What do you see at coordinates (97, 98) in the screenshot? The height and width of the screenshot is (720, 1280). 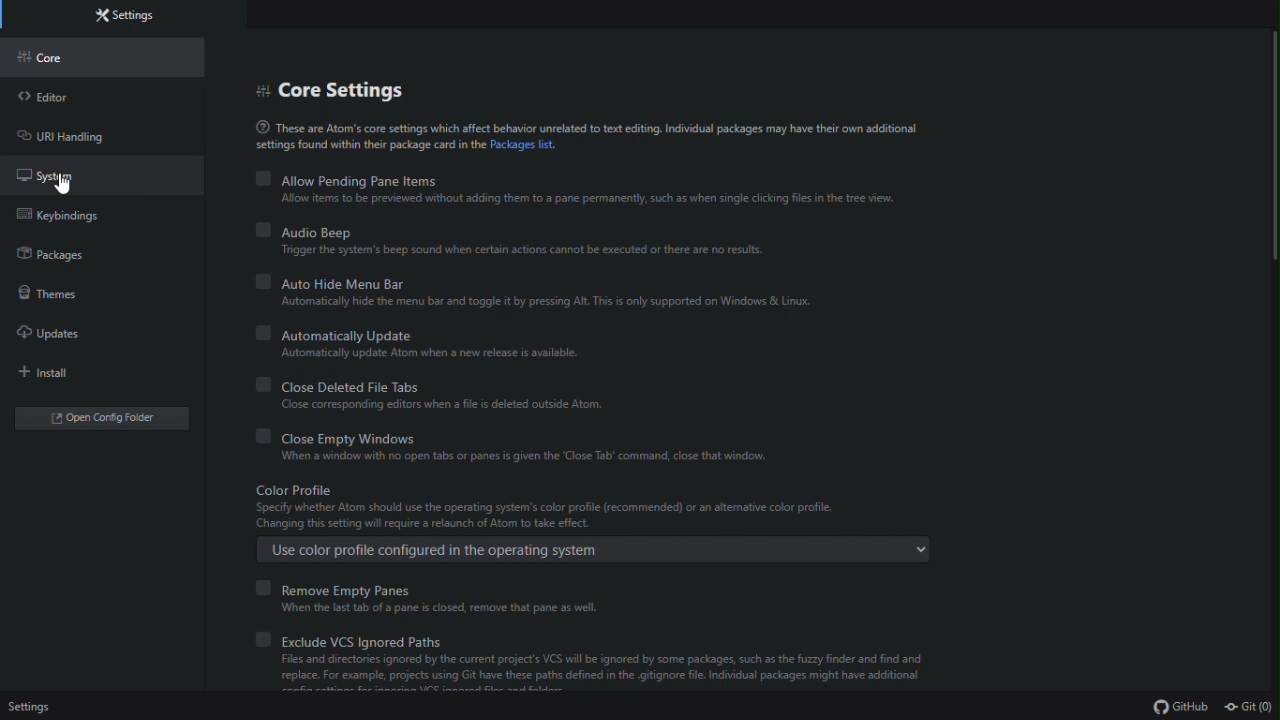 I see `Editor` at bounding box center [97, 98].